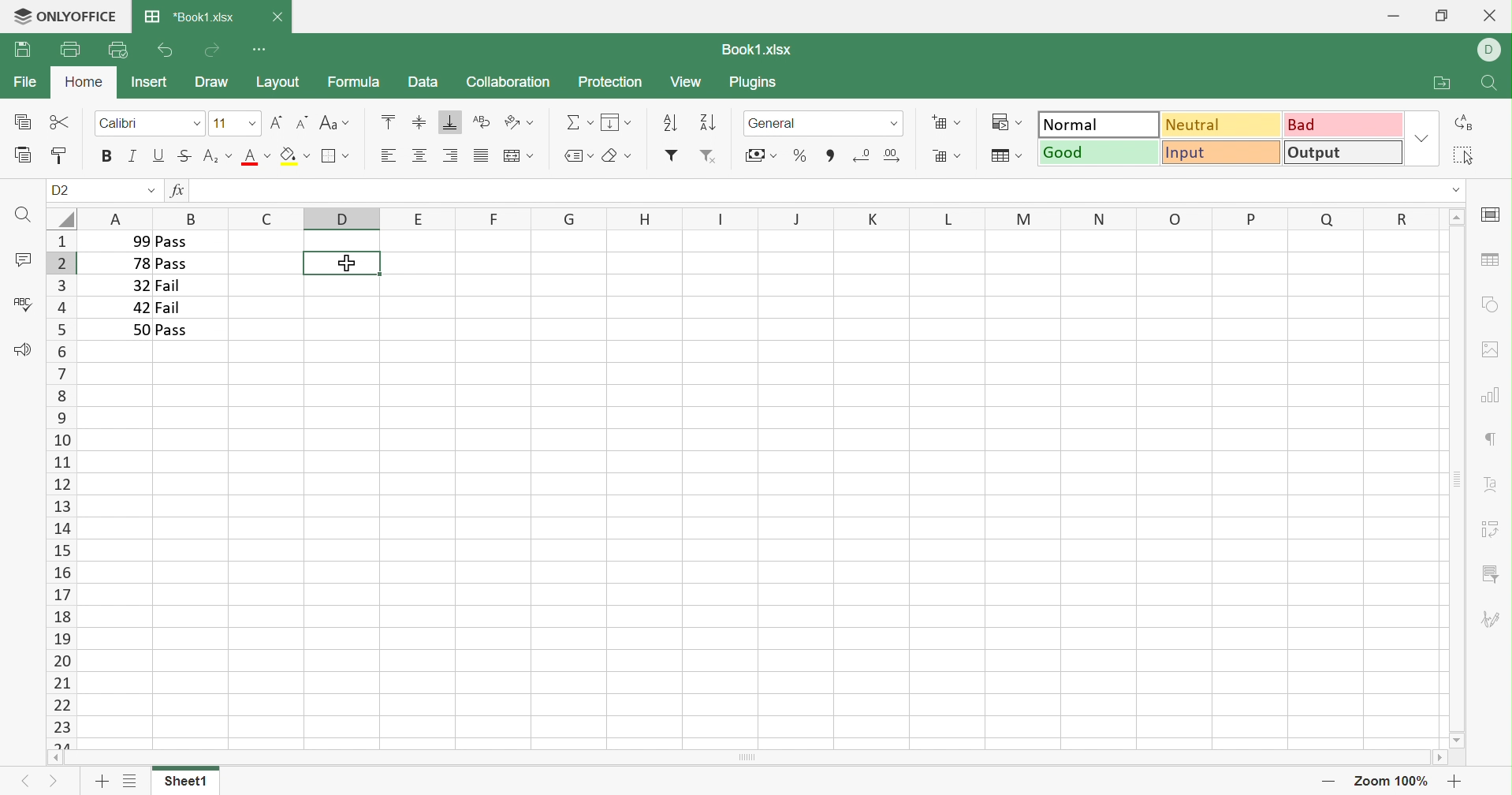 Image resolution: width=1512 pixels, height=795 pixels. Describe the element at coordinates (277, 122) in the screenshot. I see `Font increment` at that location.